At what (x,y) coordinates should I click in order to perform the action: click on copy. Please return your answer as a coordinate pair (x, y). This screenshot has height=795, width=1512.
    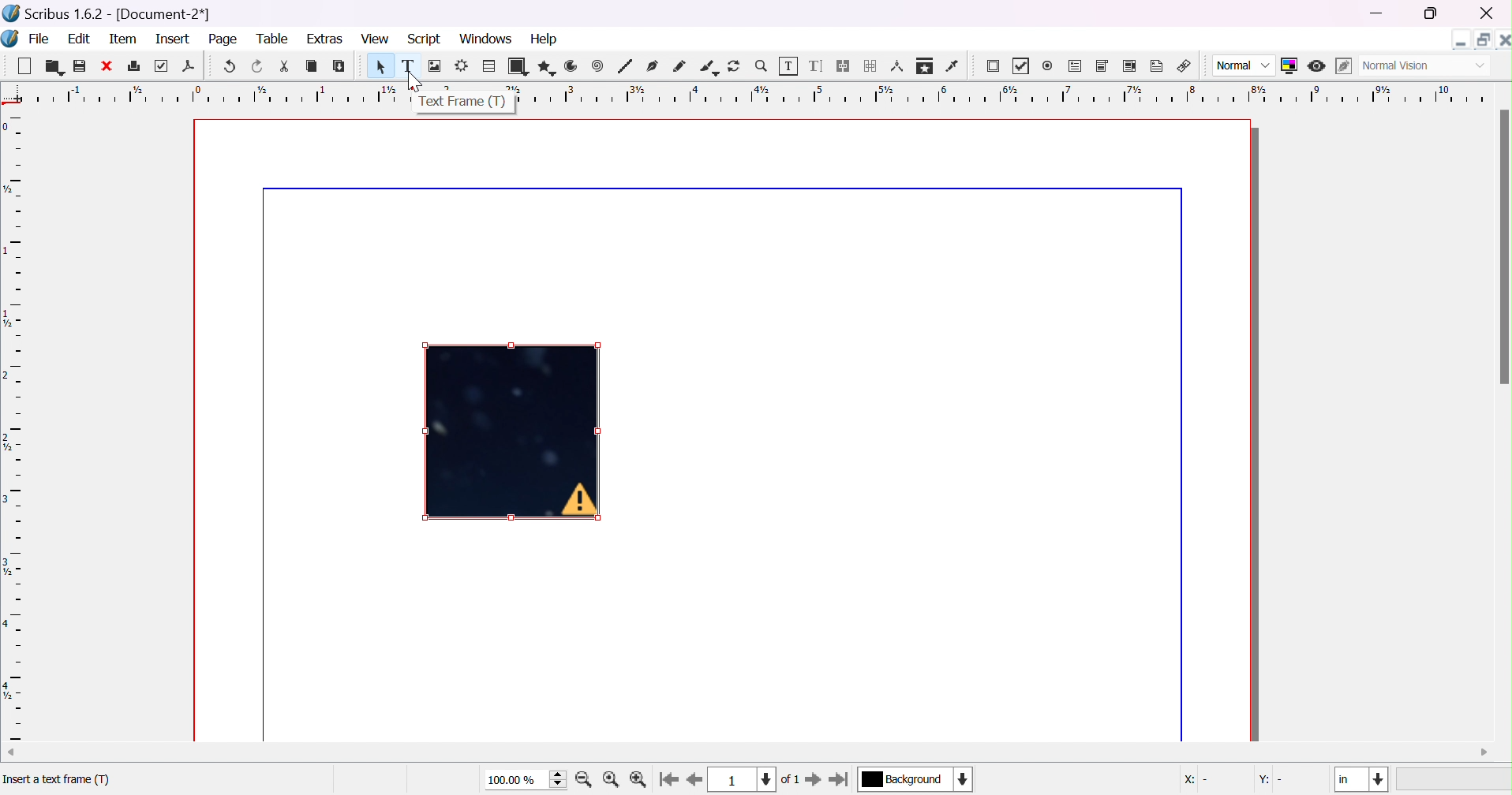
    Looking at the image, I should click on (312, 66).